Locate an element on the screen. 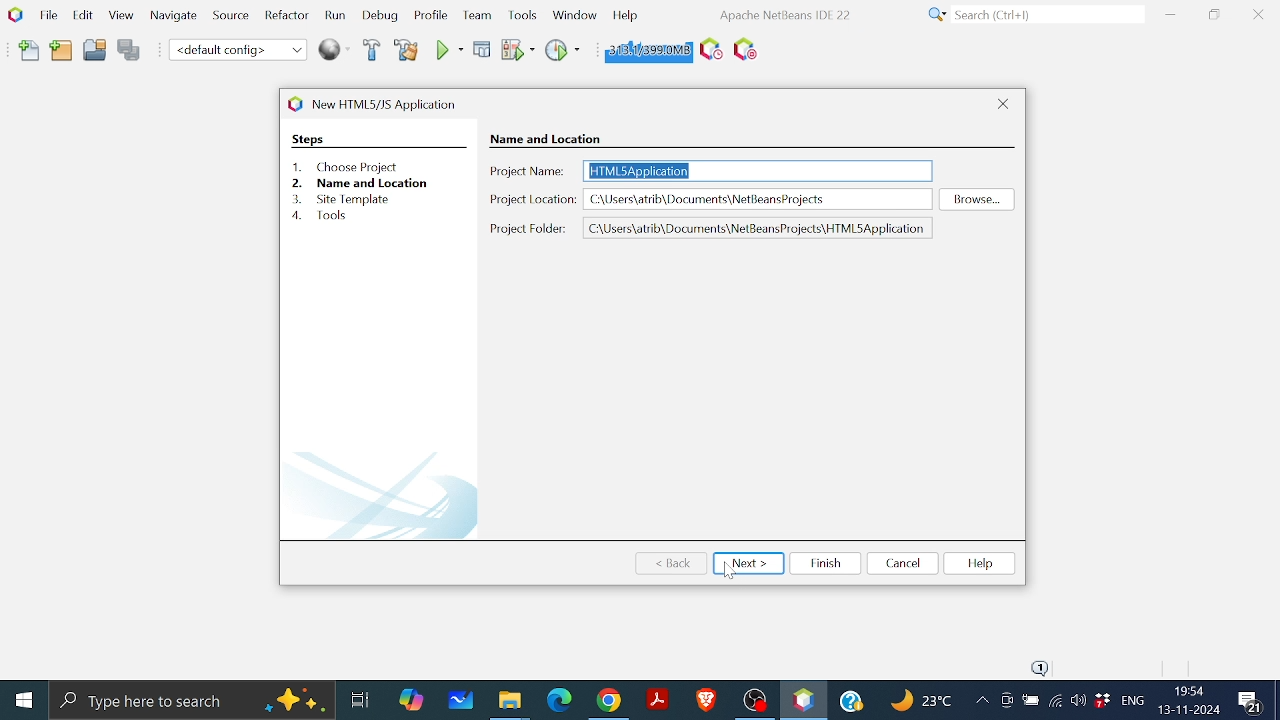 Image resolution: width=1280 pixels, height=720 pixels. Show hidden icons is located at coordinates (981, 702).